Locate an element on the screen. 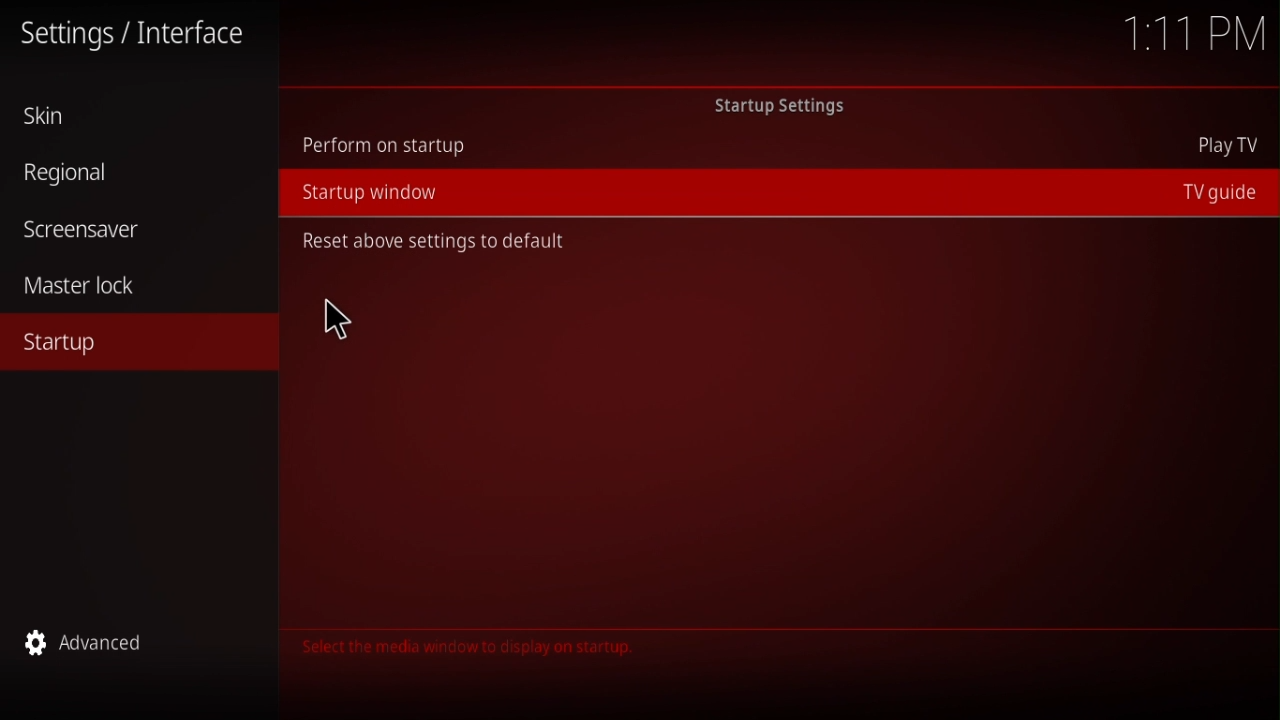 Image resolution: width=1280 pixels, height=720 pixels. settings is located at coordinates (138, 36).